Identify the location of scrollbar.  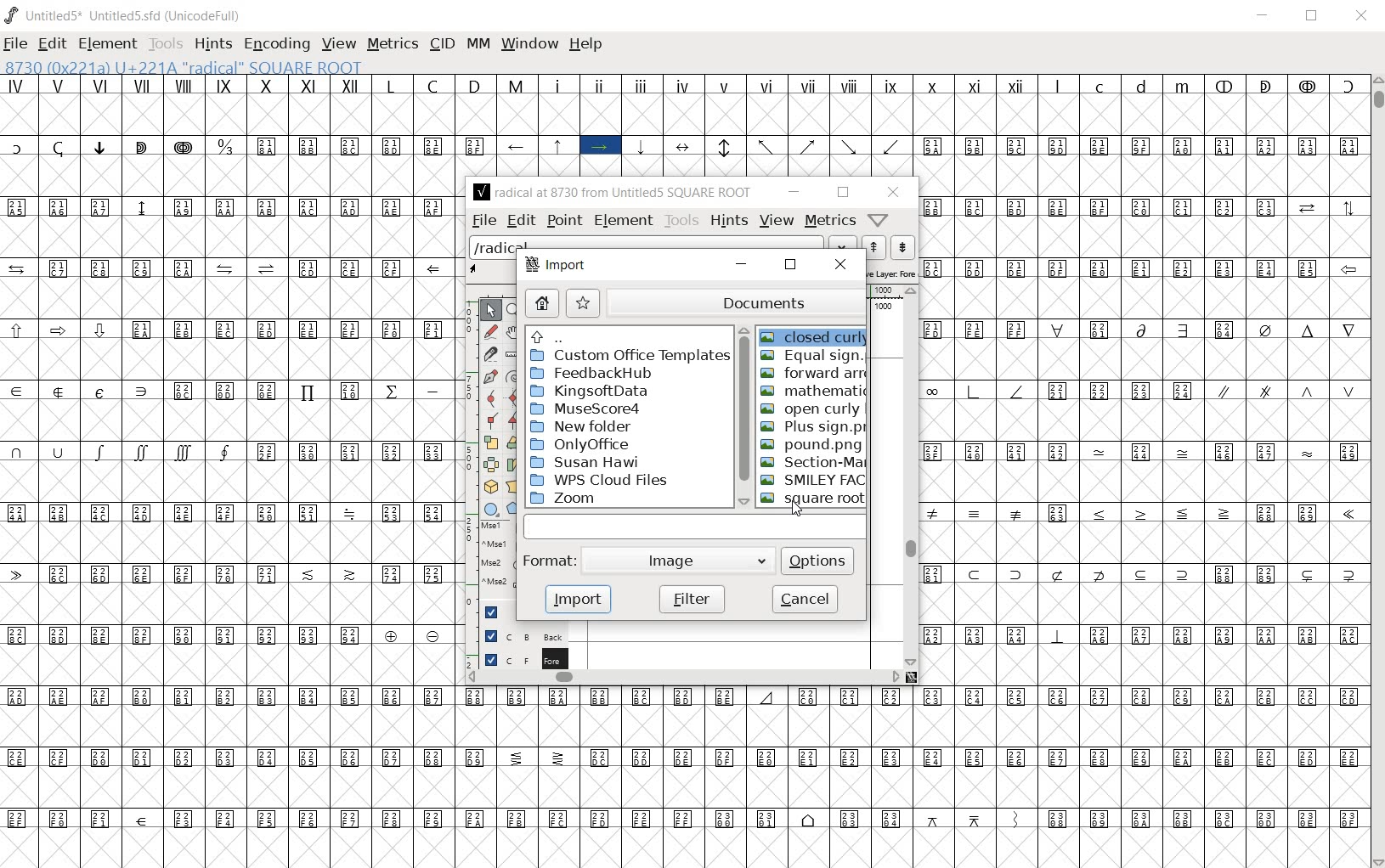
(743, 416).